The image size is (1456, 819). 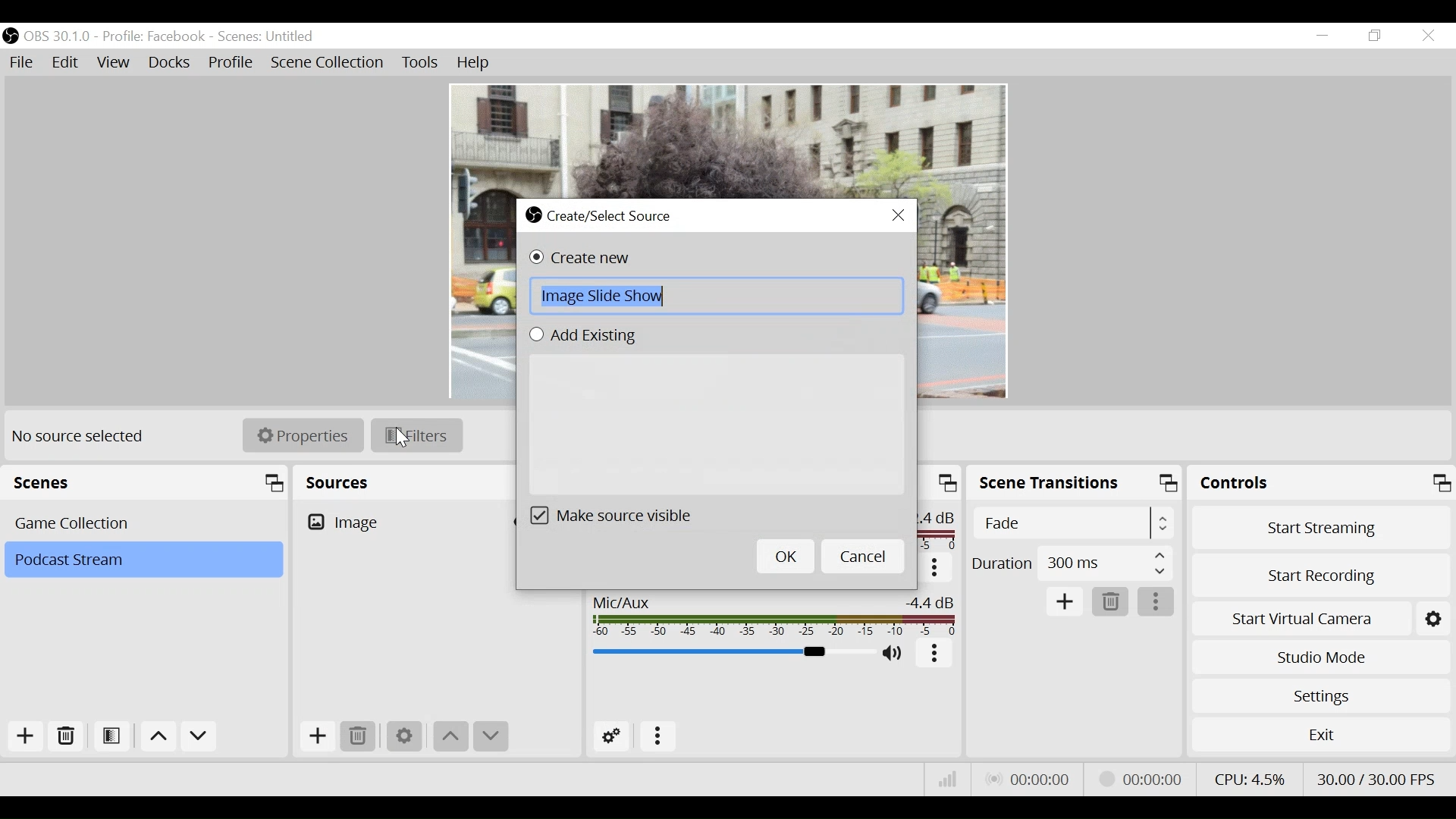 I want to click on View, so click(x=116, y=64).